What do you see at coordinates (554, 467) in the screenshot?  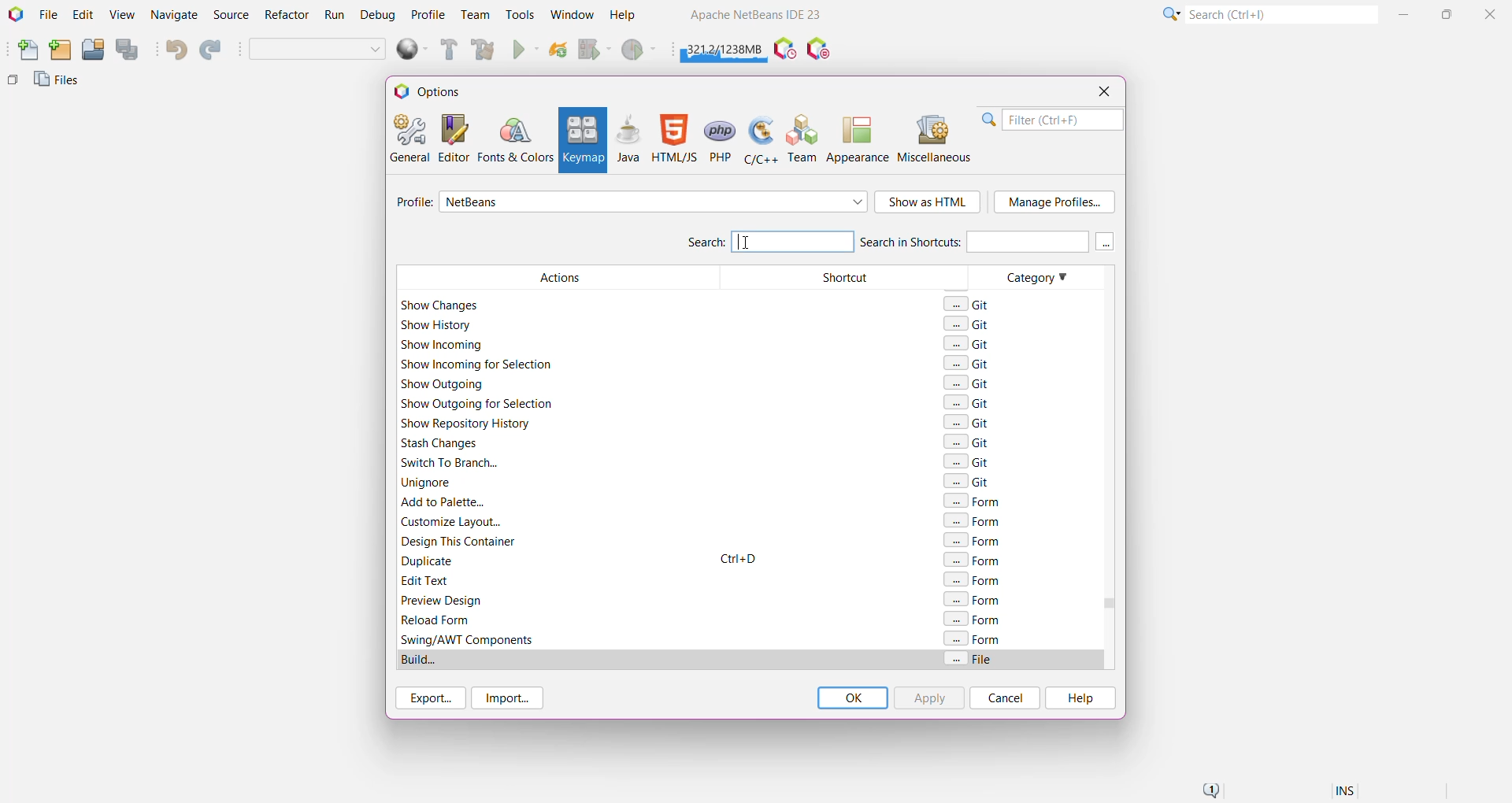 I see `Actions` at bounding box center [554, 467].